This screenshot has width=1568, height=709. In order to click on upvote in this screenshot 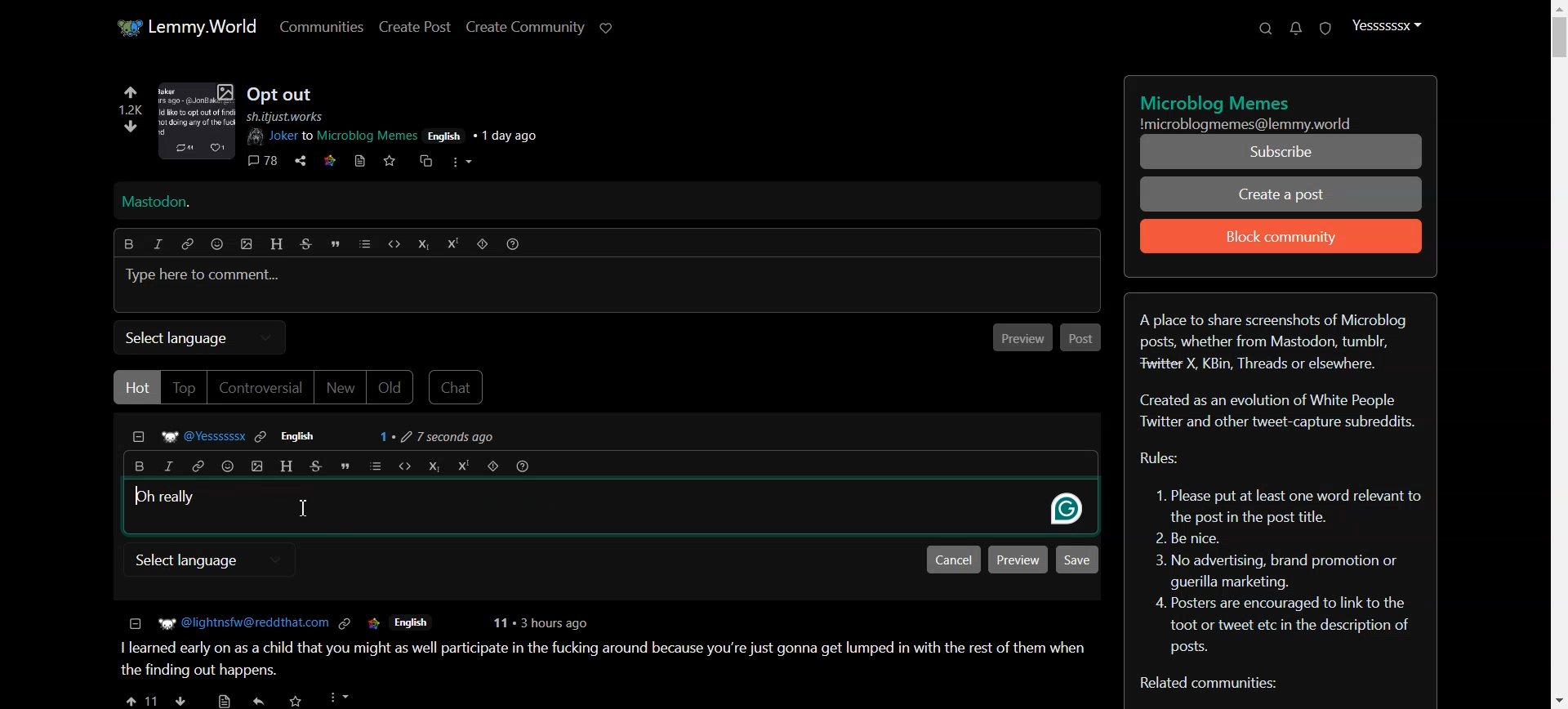, I will do `click(130, 94)`.